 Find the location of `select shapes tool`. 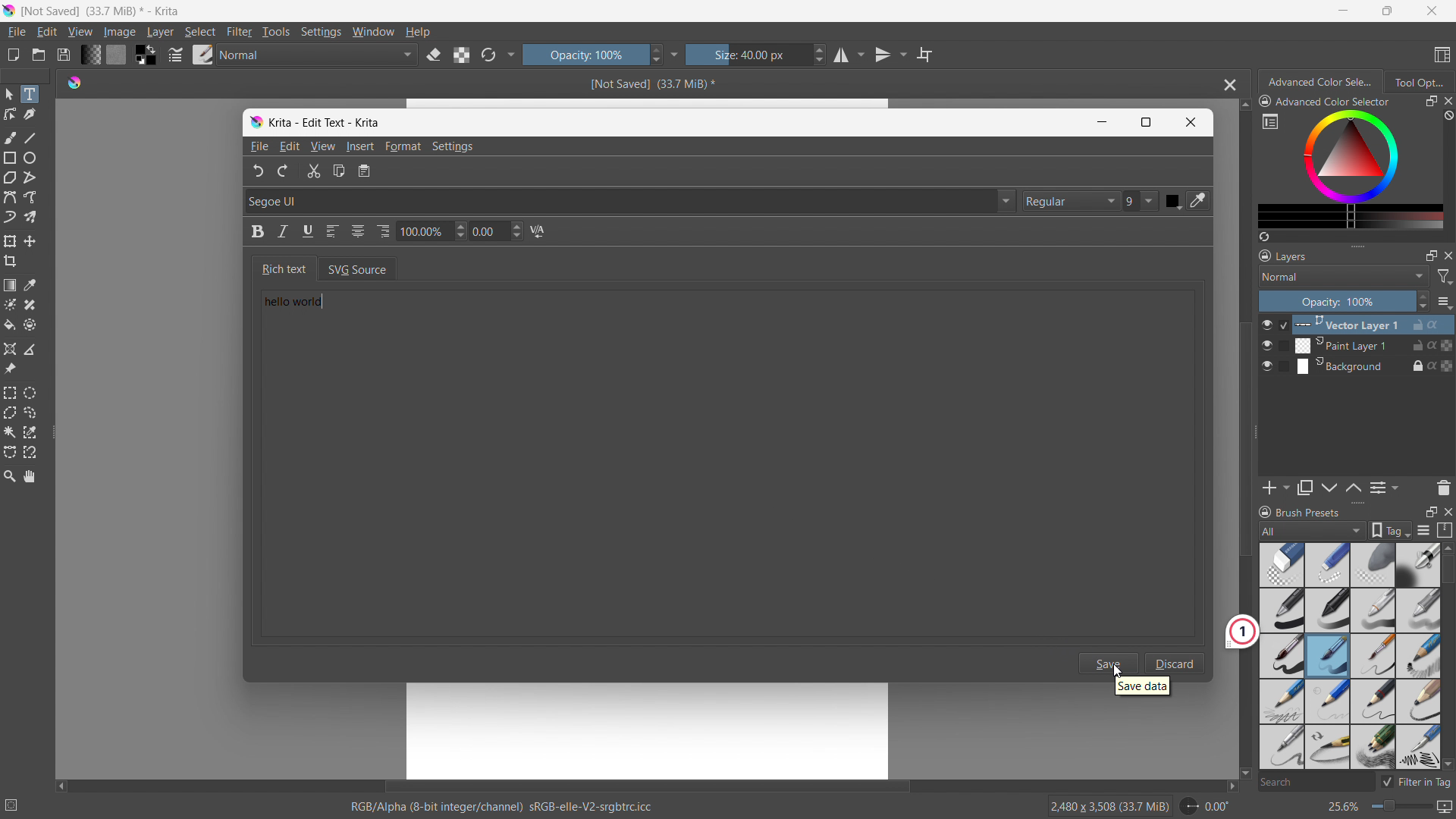

select shapes tool is located at coordinates (8, 94).